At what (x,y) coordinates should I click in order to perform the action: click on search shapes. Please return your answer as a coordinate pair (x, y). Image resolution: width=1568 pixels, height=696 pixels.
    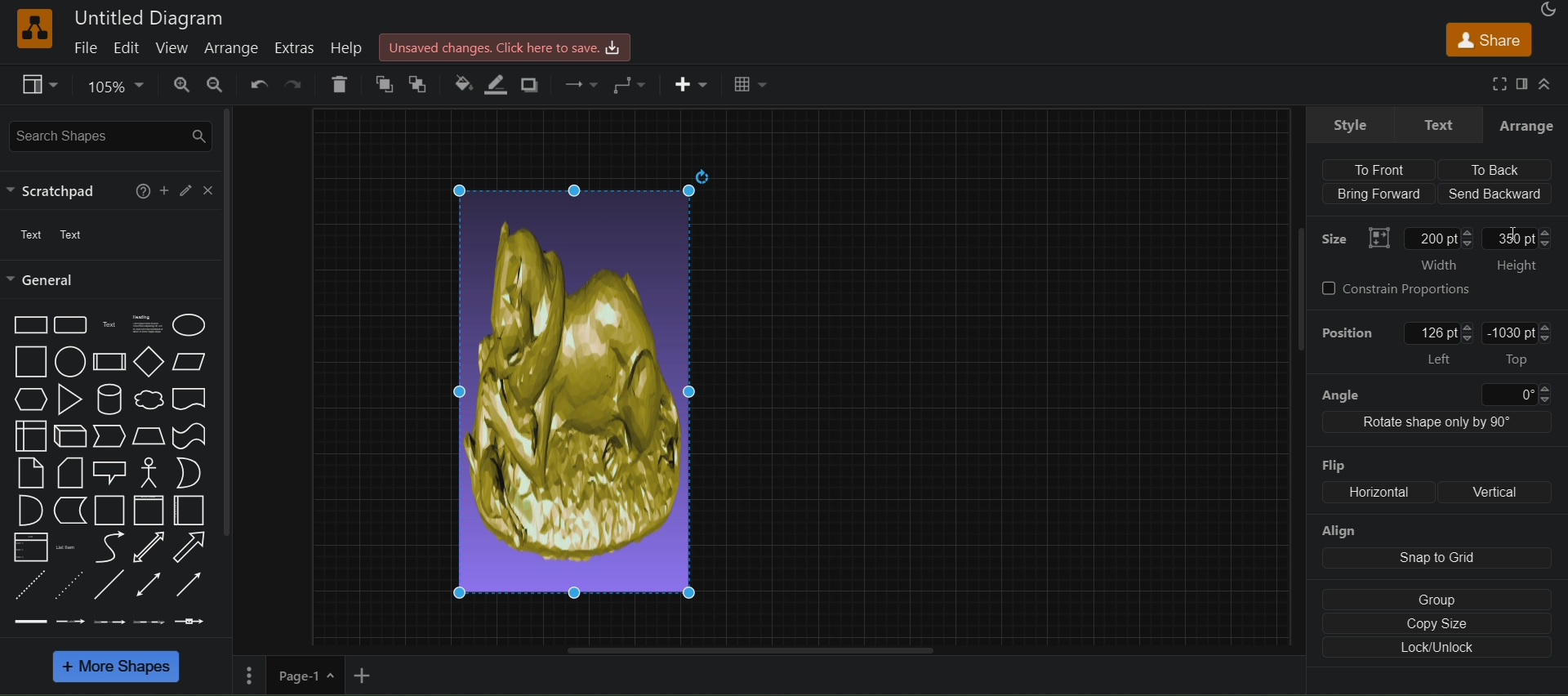
    Looking at the image, I should click on (108, 136).